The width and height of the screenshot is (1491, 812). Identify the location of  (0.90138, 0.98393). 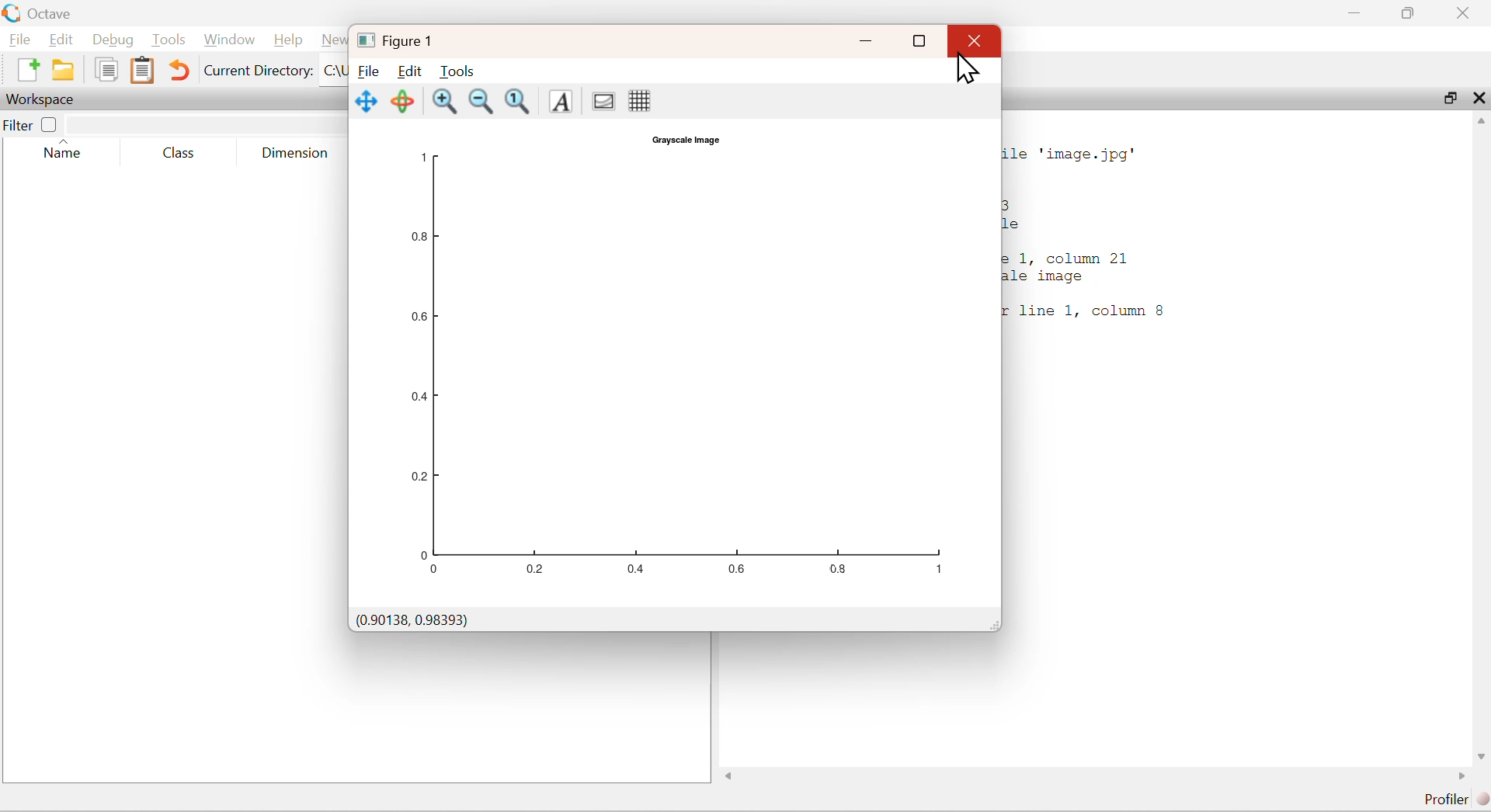
(415, 620).